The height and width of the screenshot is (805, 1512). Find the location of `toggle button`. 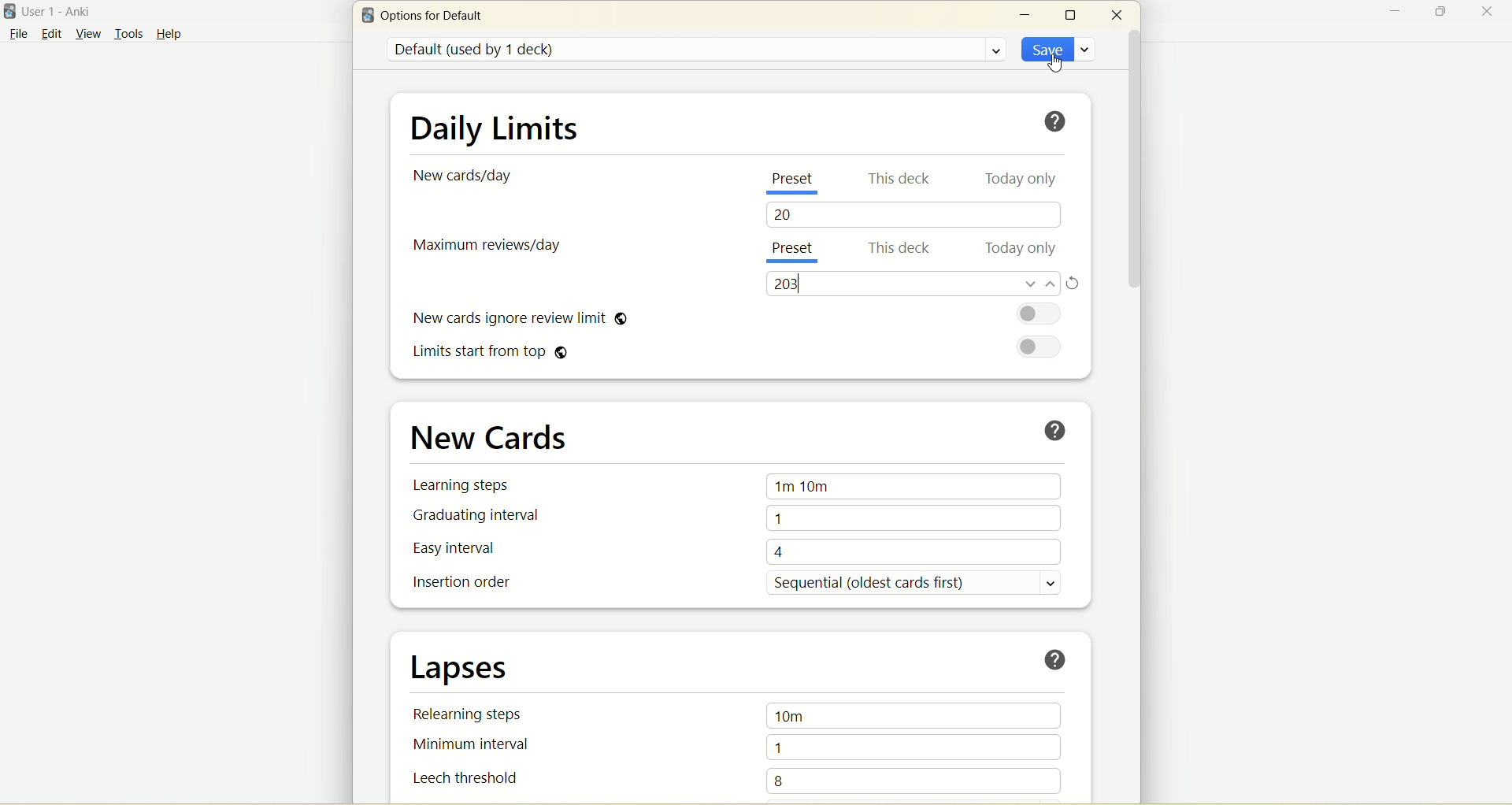

toggle button is located at coordinates (1043, 348).